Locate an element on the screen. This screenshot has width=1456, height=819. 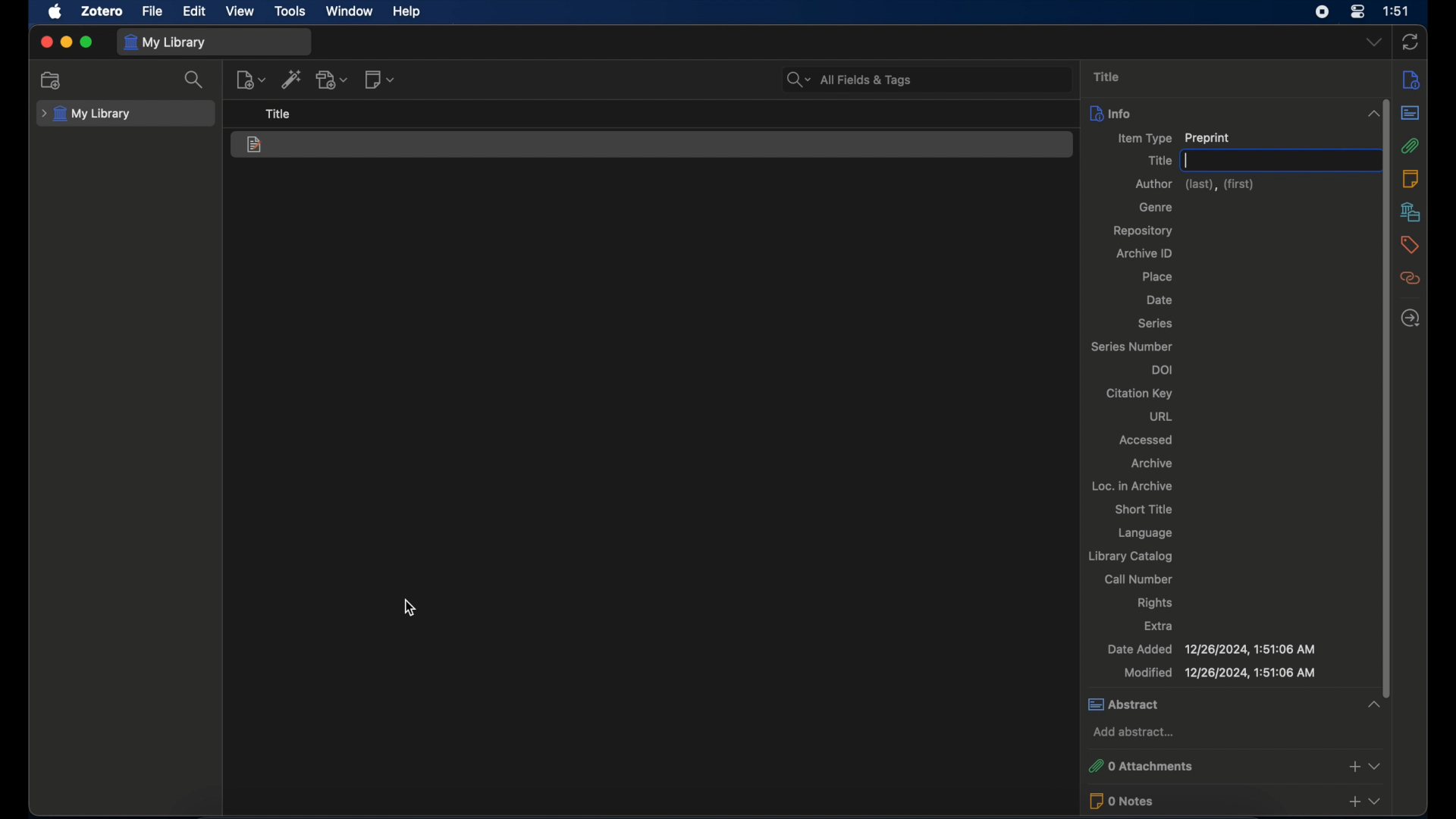
close is located at coordinates (45, 42).